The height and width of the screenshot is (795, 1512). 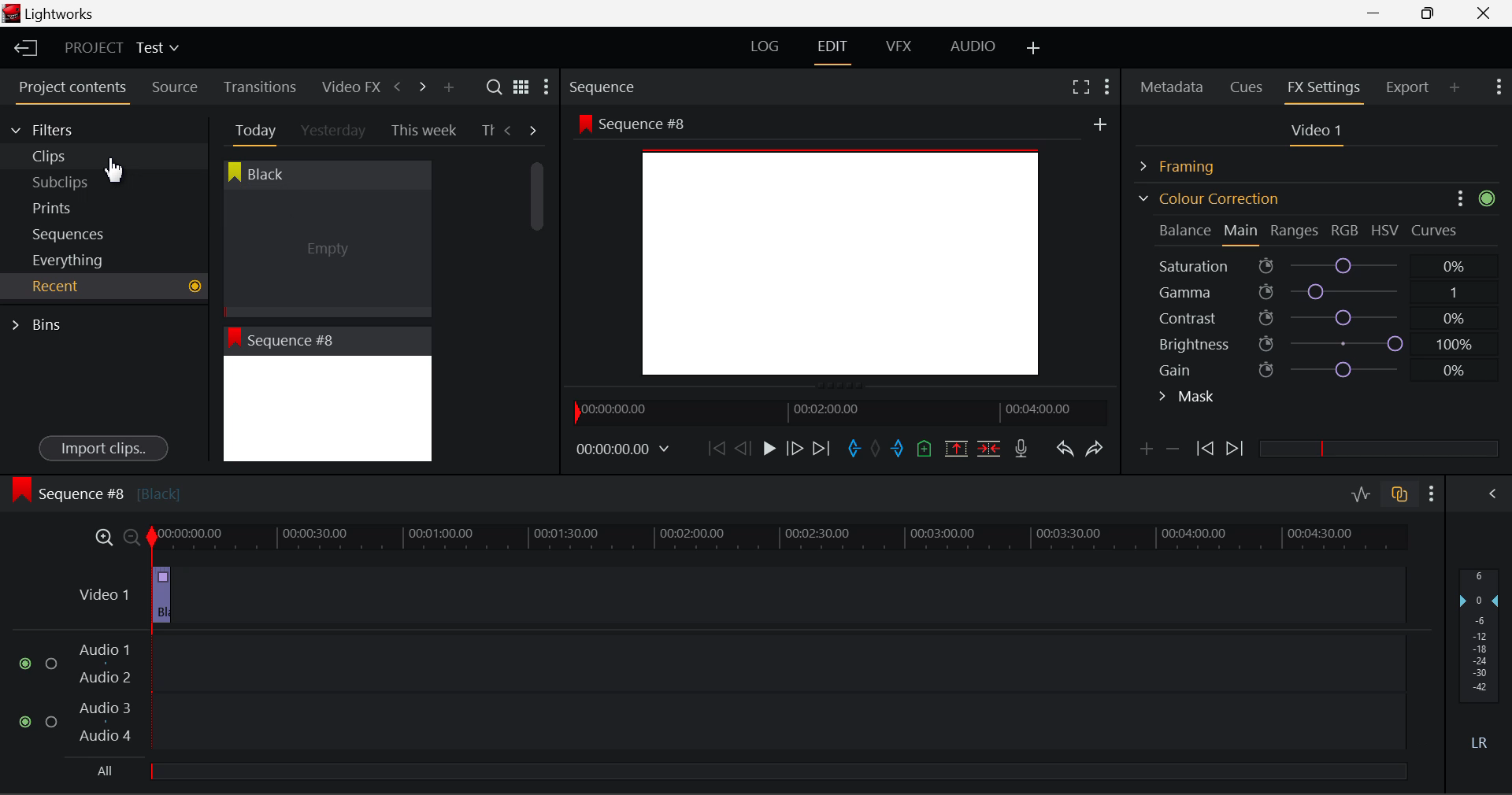 What do you see at coordinates (105, 770) in the screenshot?
I see `All` at bounding box center [105, 770].